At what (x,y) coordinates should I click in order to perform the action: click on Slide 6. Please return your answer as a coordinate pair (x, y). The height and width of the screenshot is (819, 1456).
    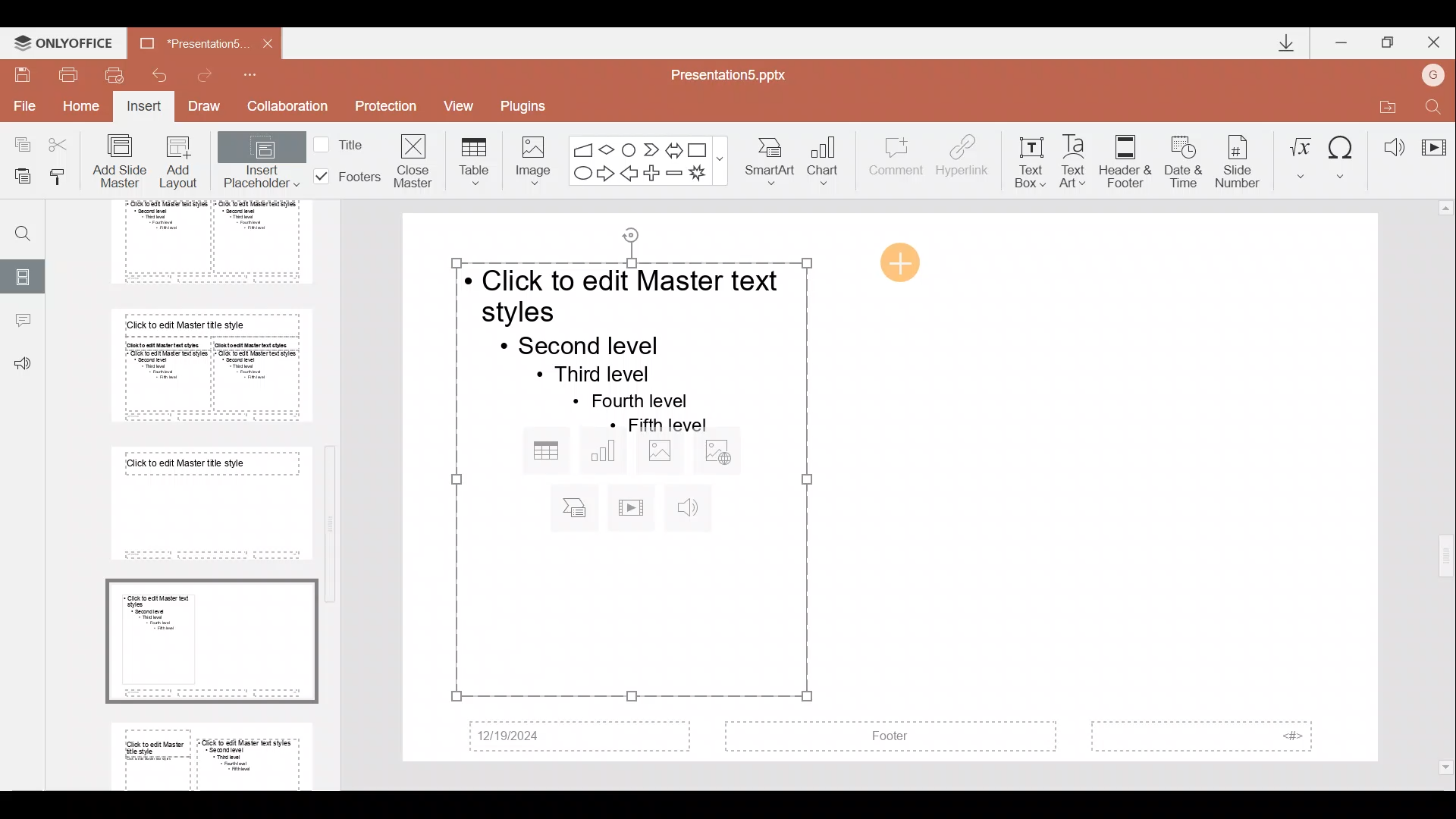
    Looking at the image, I should click on (206, 365).